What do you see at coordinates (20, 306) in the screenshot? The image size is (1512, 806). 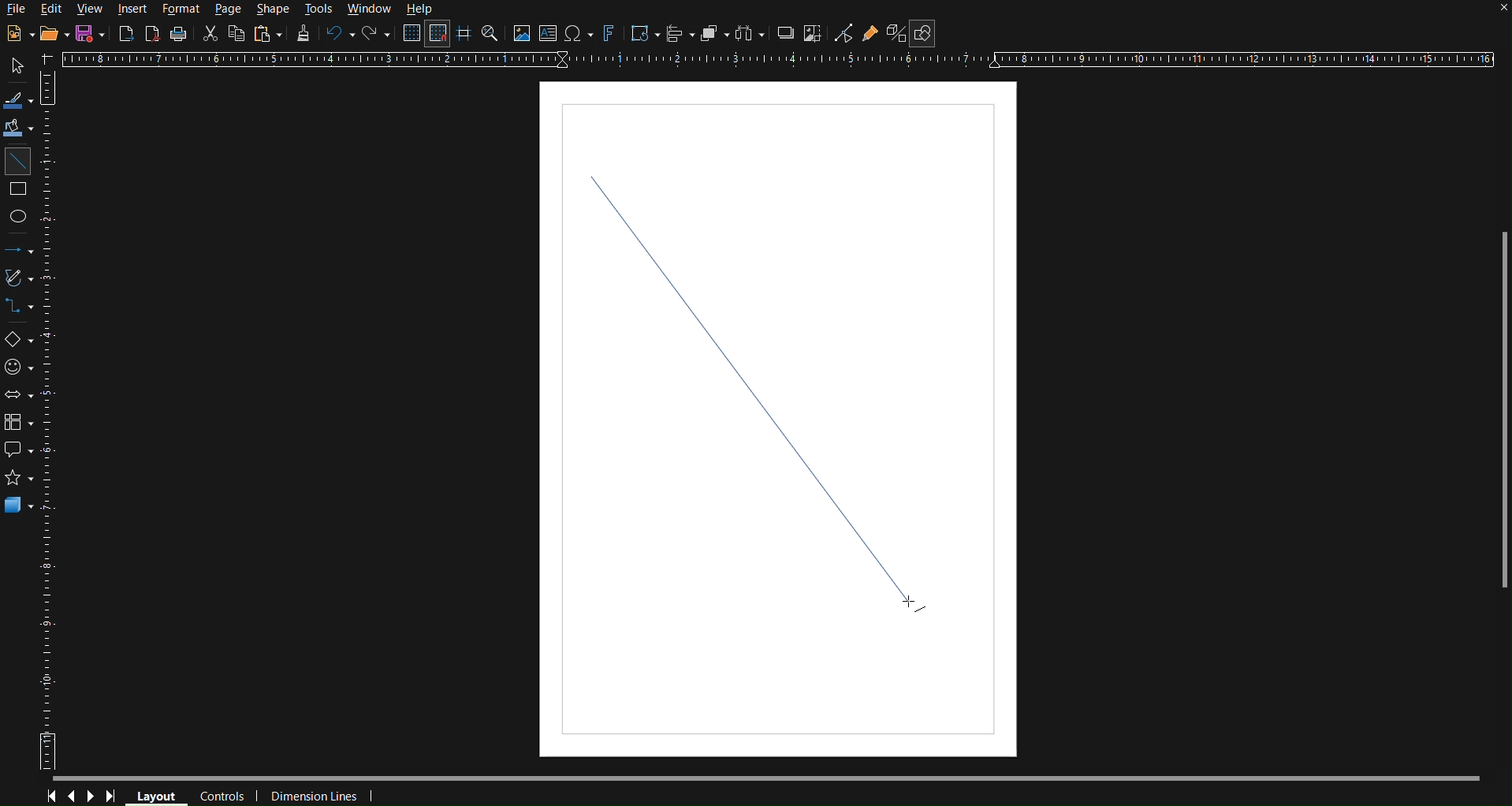 I see `Connections` at bounding box center [20, 306].